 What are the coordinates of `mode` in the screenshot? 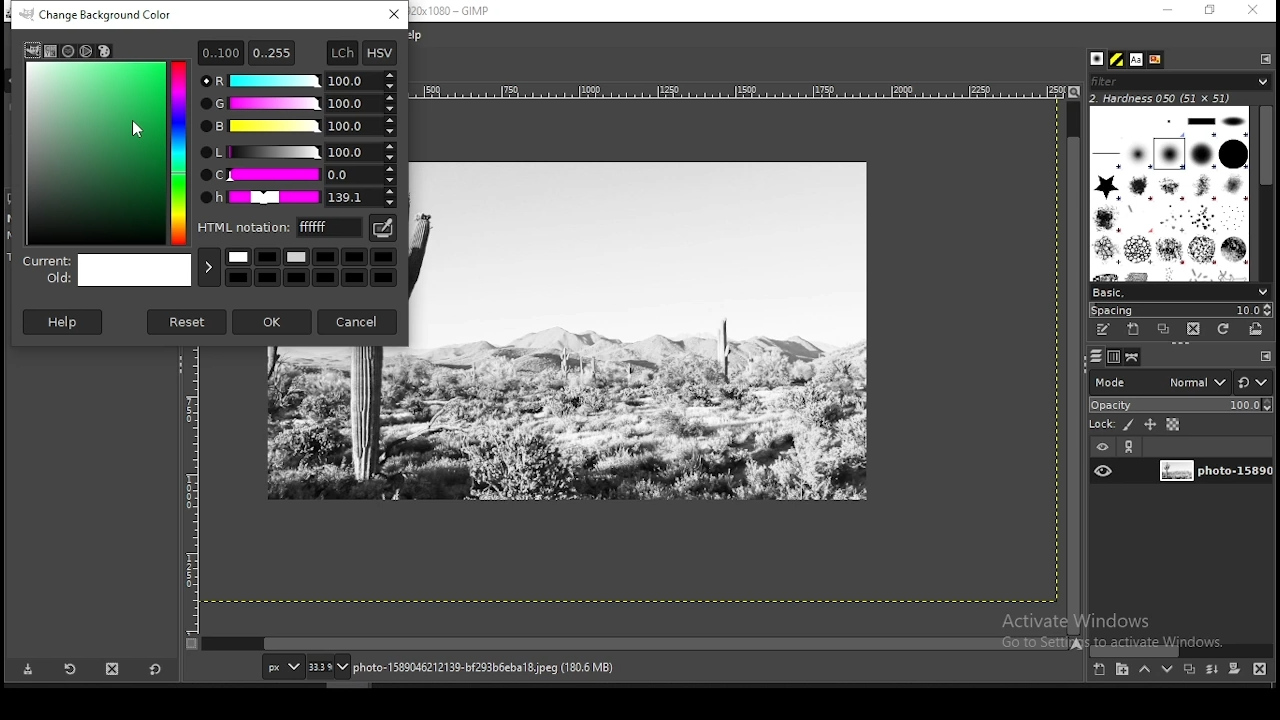 It's located at (1159, 381).